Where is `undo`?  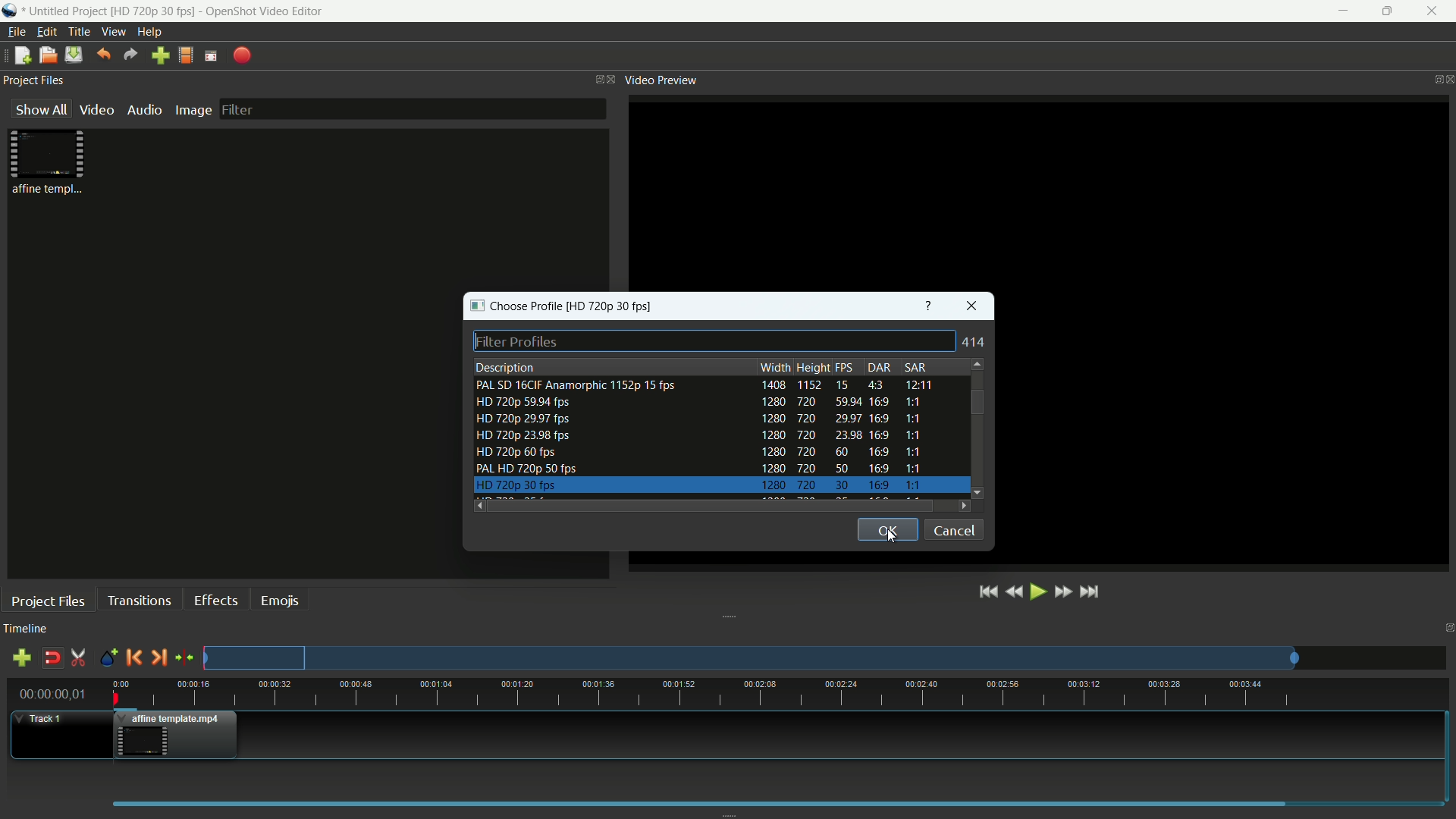 undo is located at coordinates (103, 55).